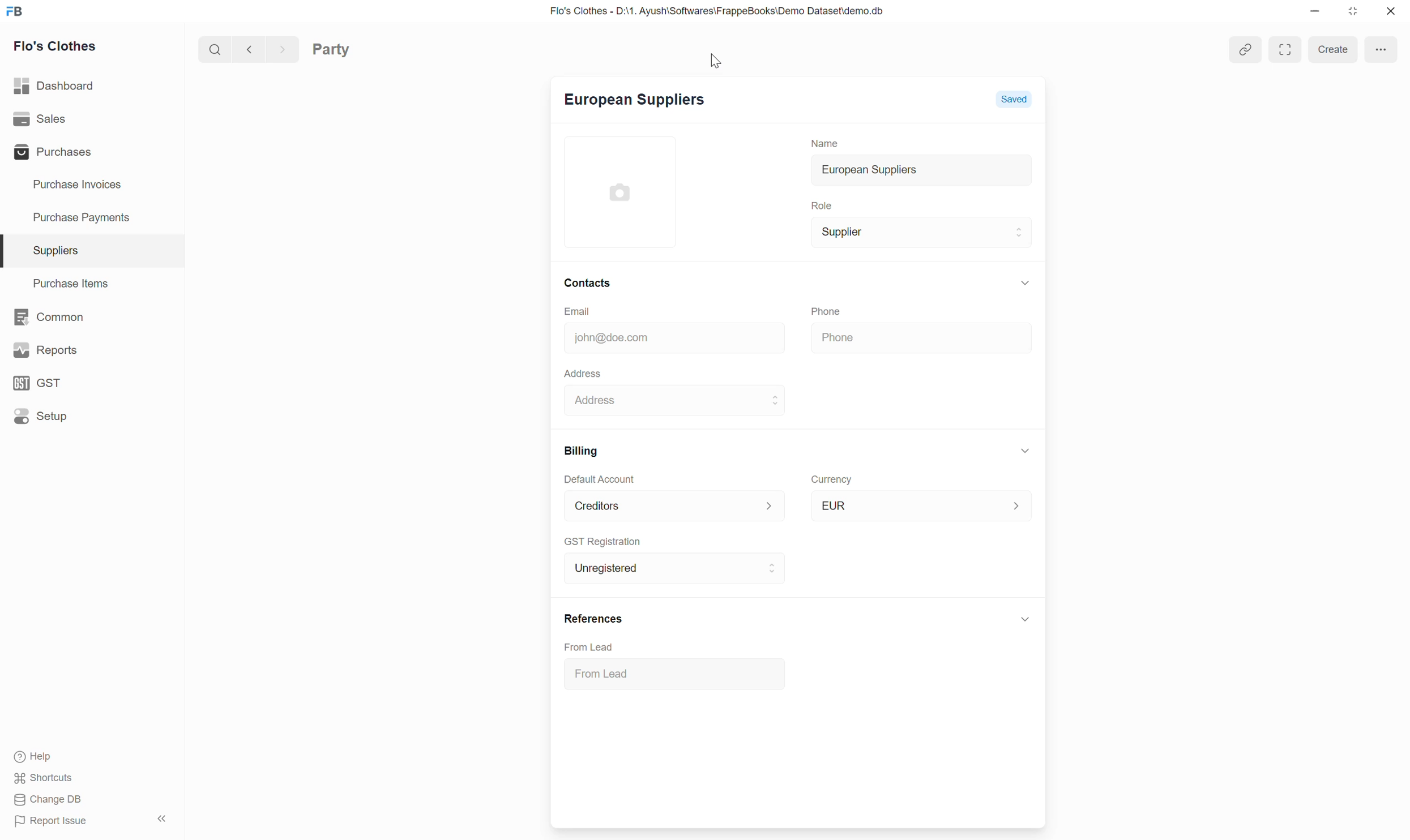 Image resolution: width=1410 pixels, height=840 pixels. I want to click on Address, so click(601, 401).